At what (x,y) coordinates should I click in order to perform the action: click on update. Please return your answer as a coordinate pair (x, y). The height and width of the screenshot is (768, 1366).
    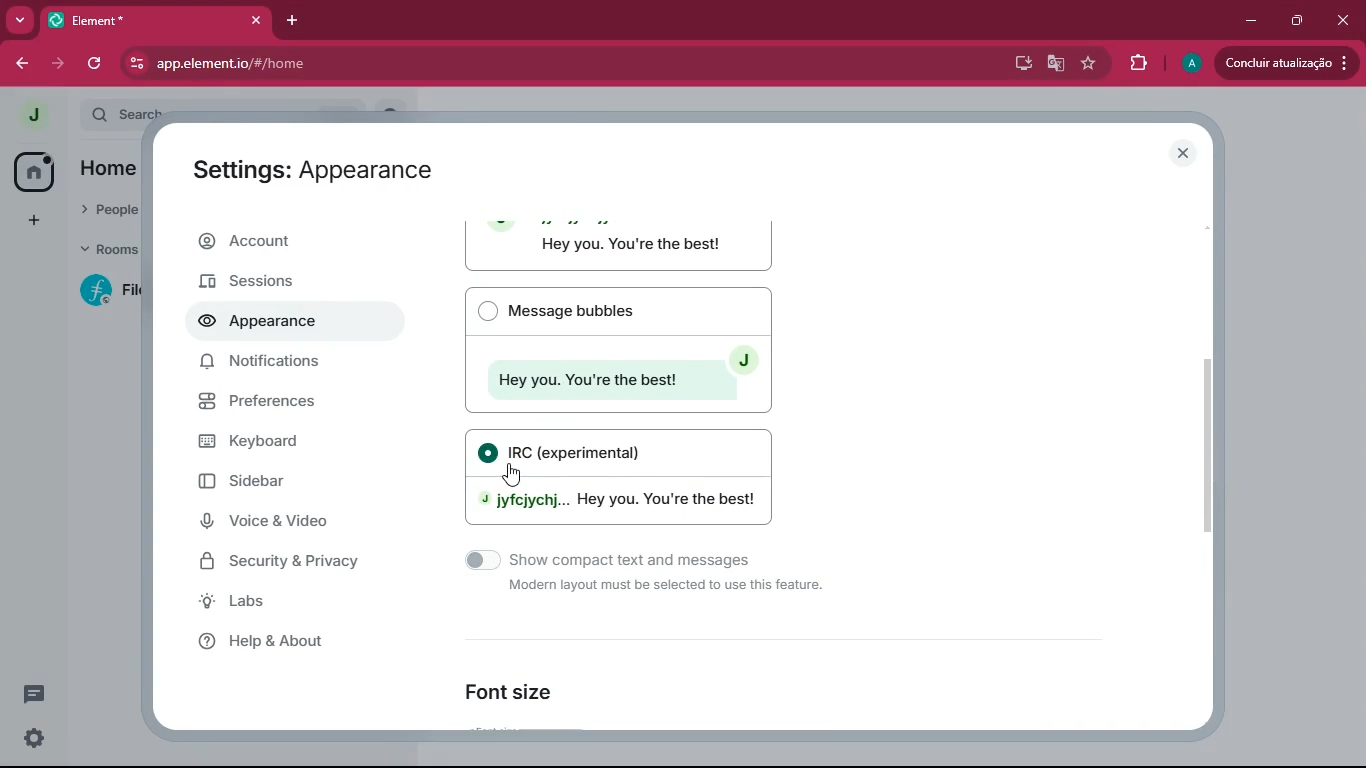
    Looking at the image, I should click on (1286, 65).